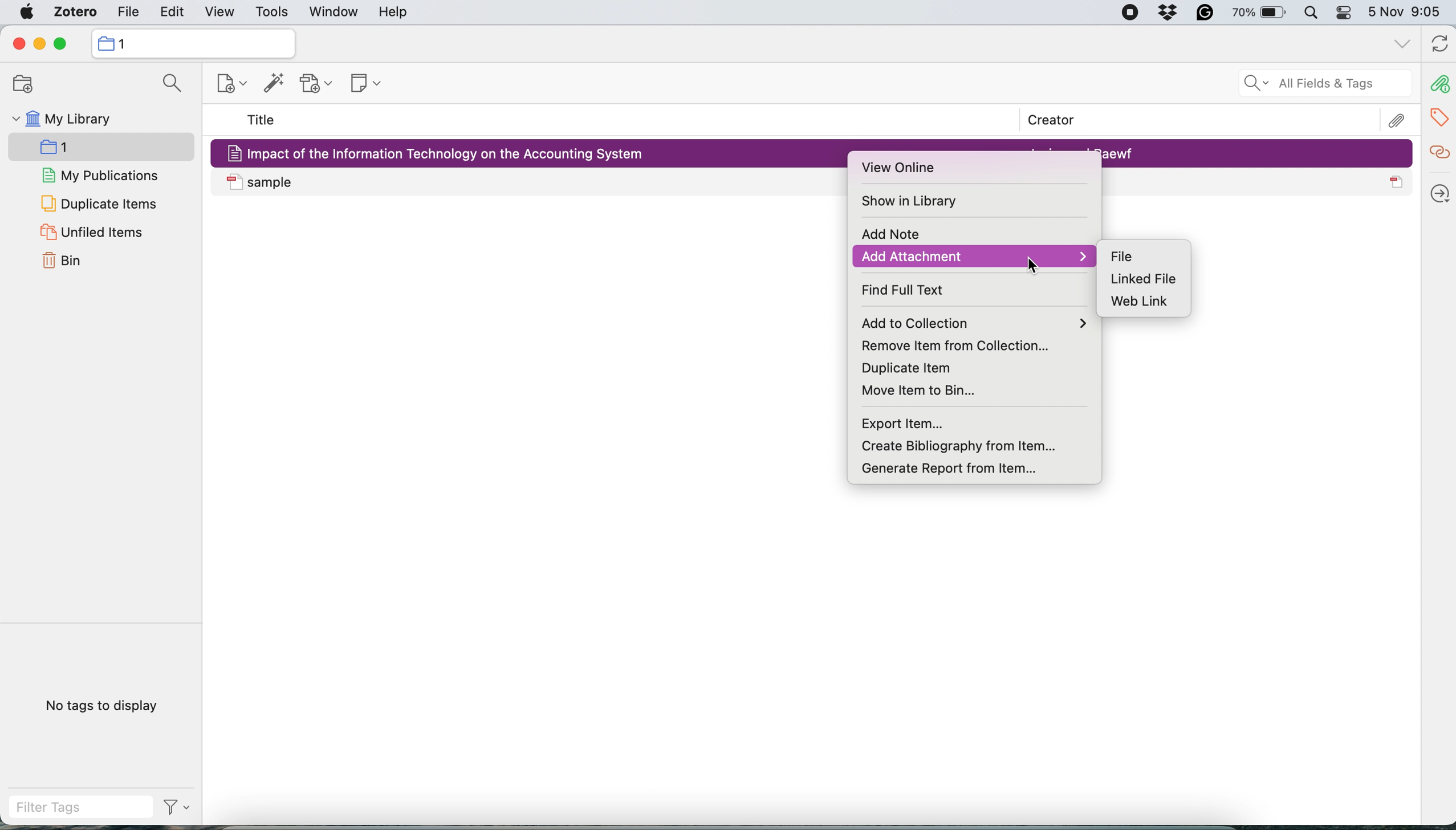 The image size is (1456, 830). Describe the element at coordinates (219, 13) in the screenshot. I see `view` at that location.